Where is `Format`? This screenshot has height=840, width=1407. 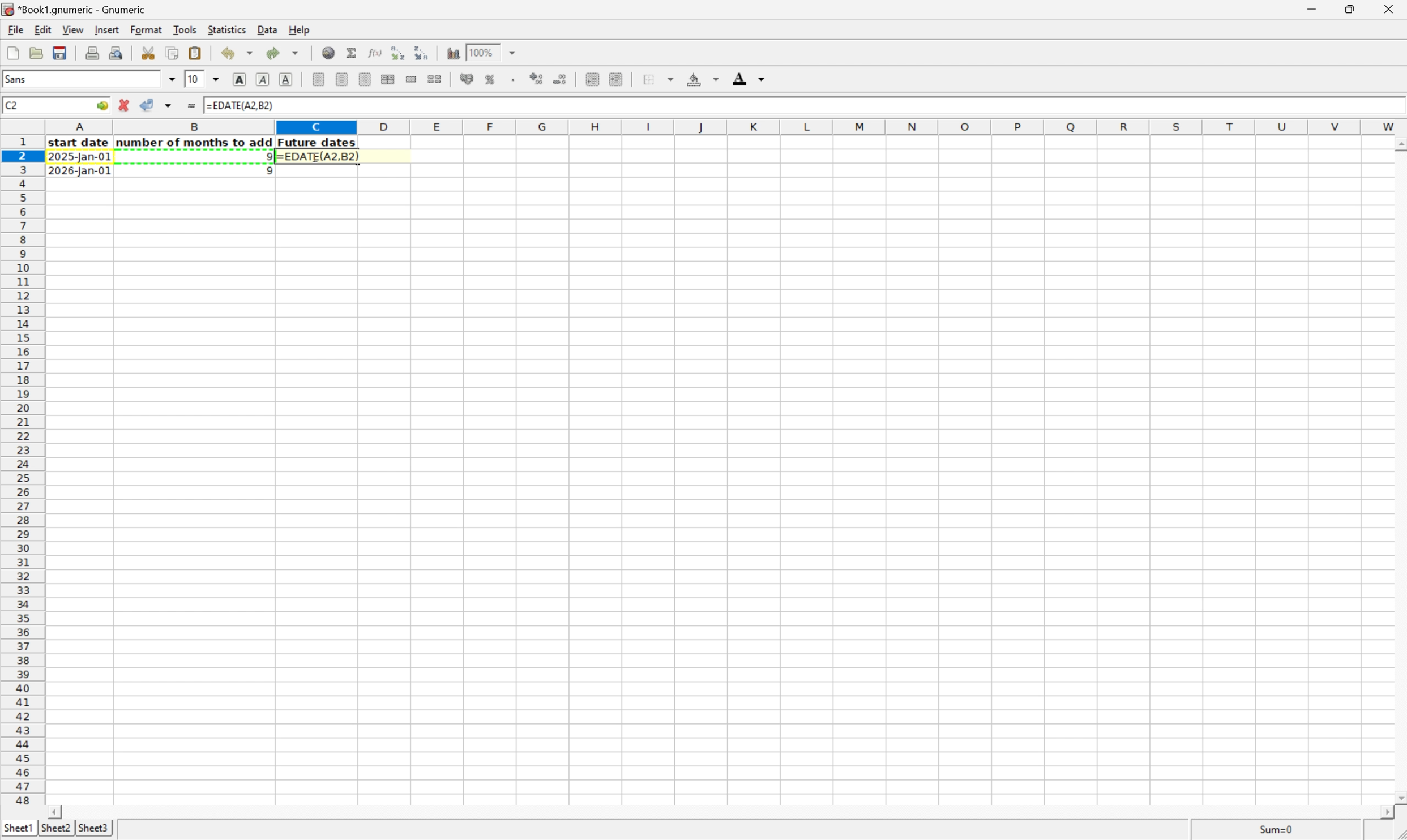 Format is located at coordinates (147, 30).